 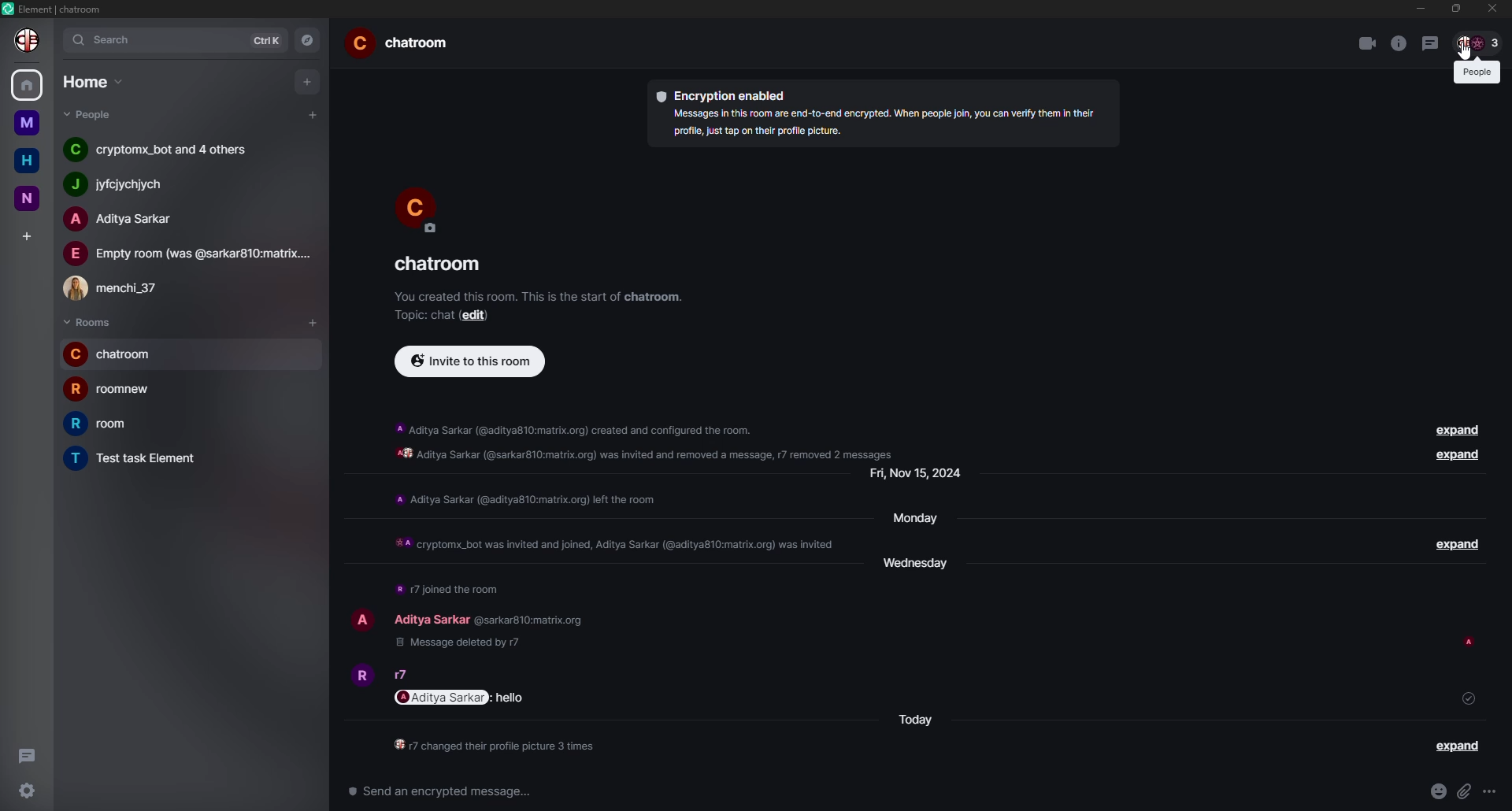 What do you see at coordinates (440, 791) in the screenshot?
I see ` Send an encrypted message...` at bounding box center [440, 791].